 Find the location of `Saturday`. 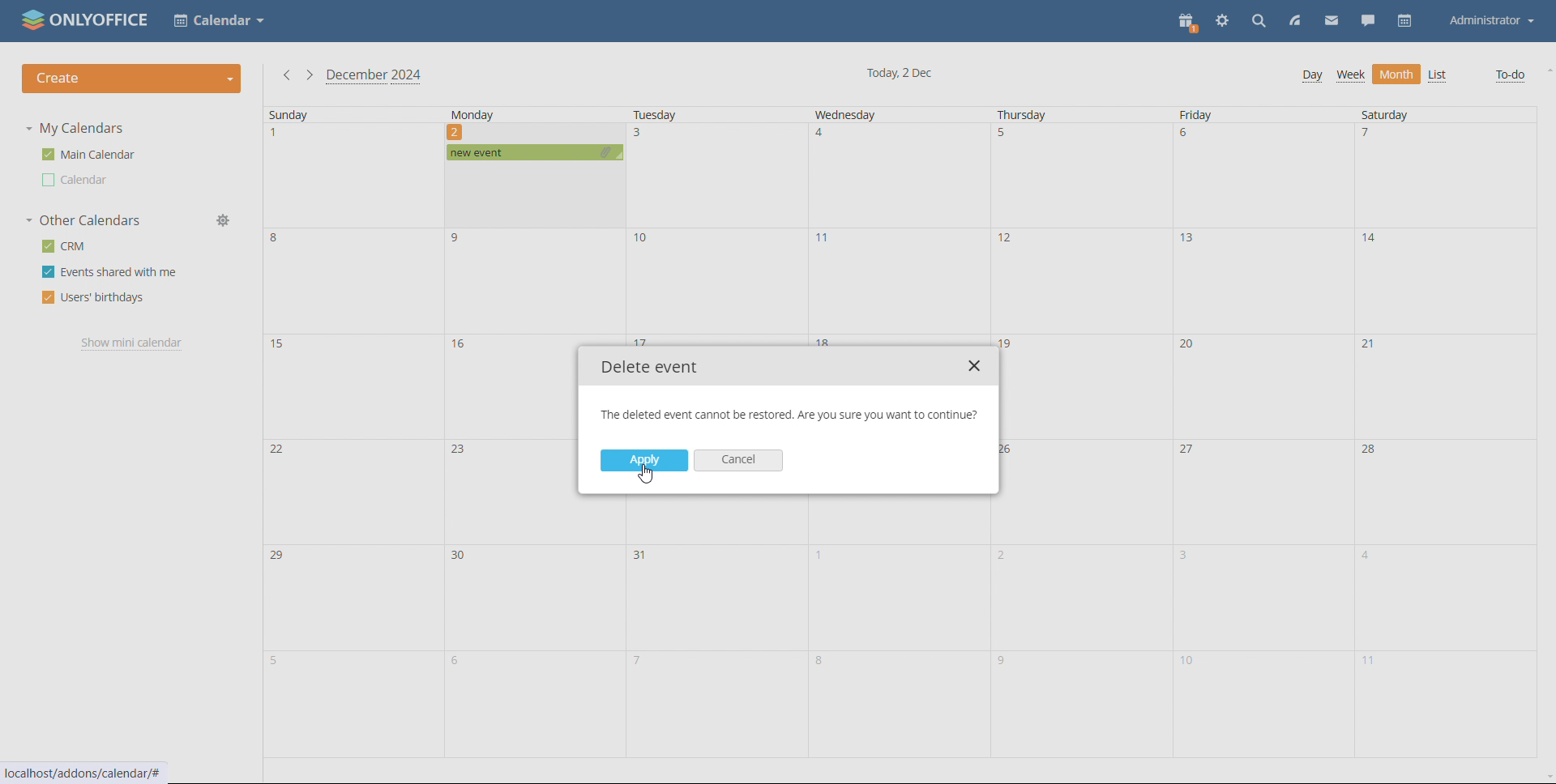

Saturday is located at coordinates (1386, 114).